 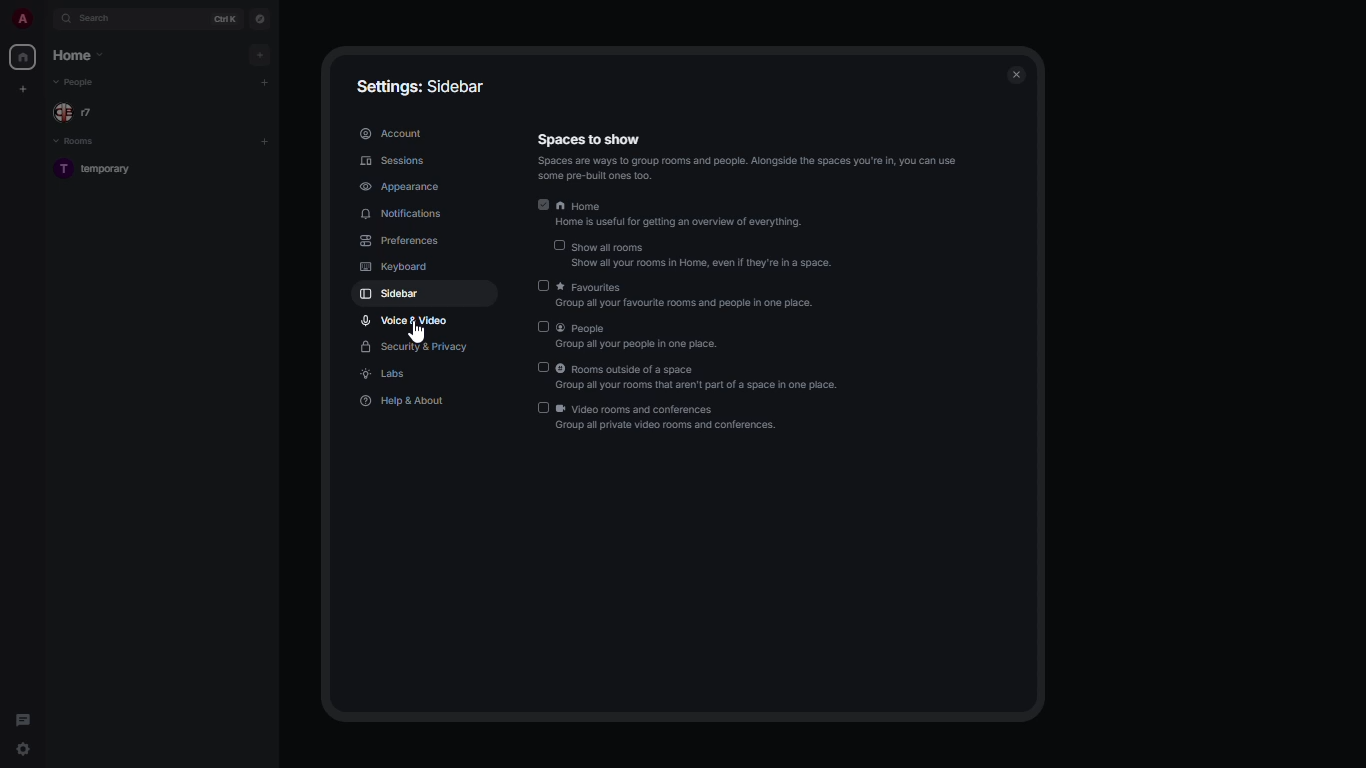 I want to click on security & privacy, so click(x=416, y=348).